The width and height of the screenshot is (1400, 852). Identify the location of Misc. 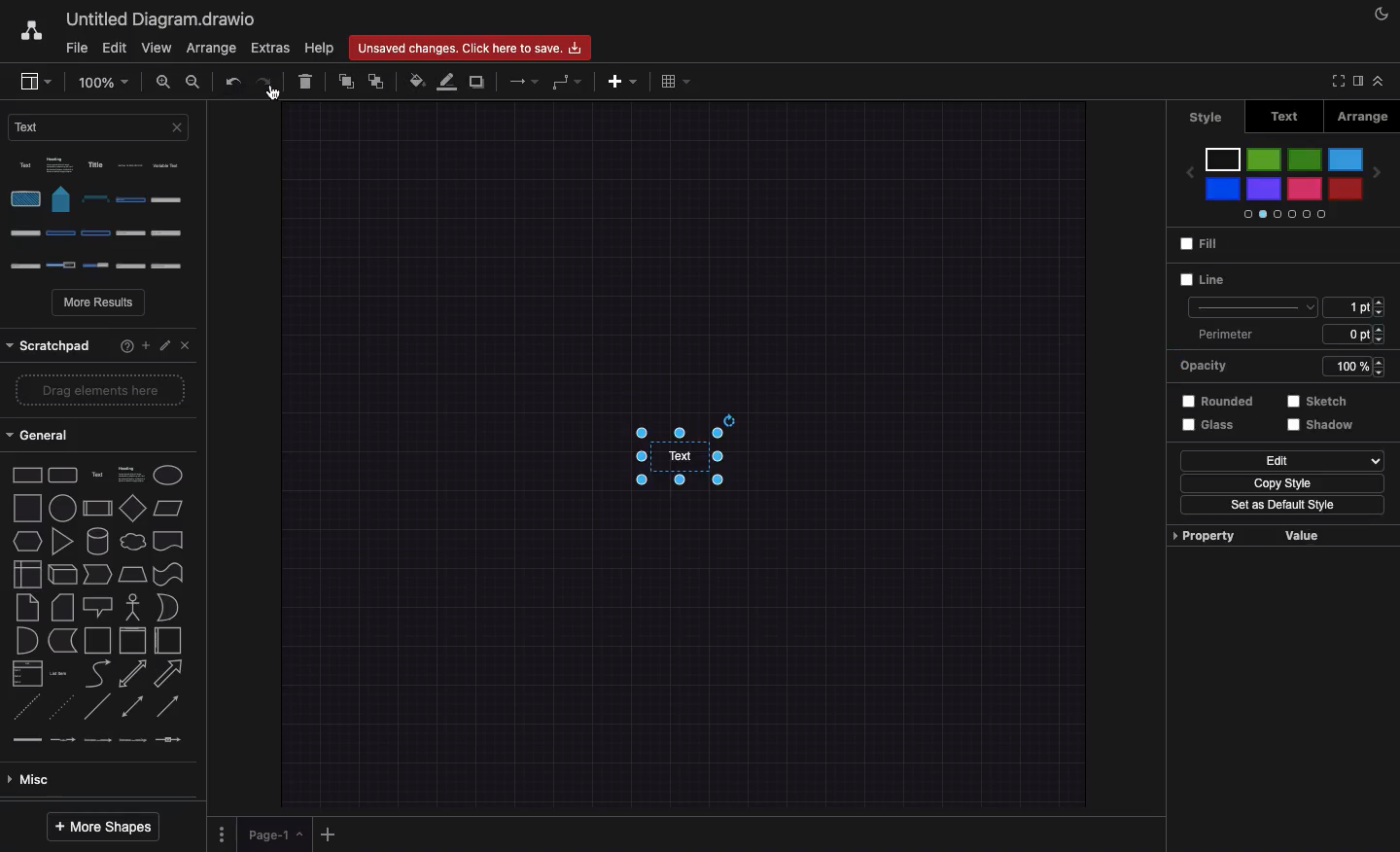
(32, 782).